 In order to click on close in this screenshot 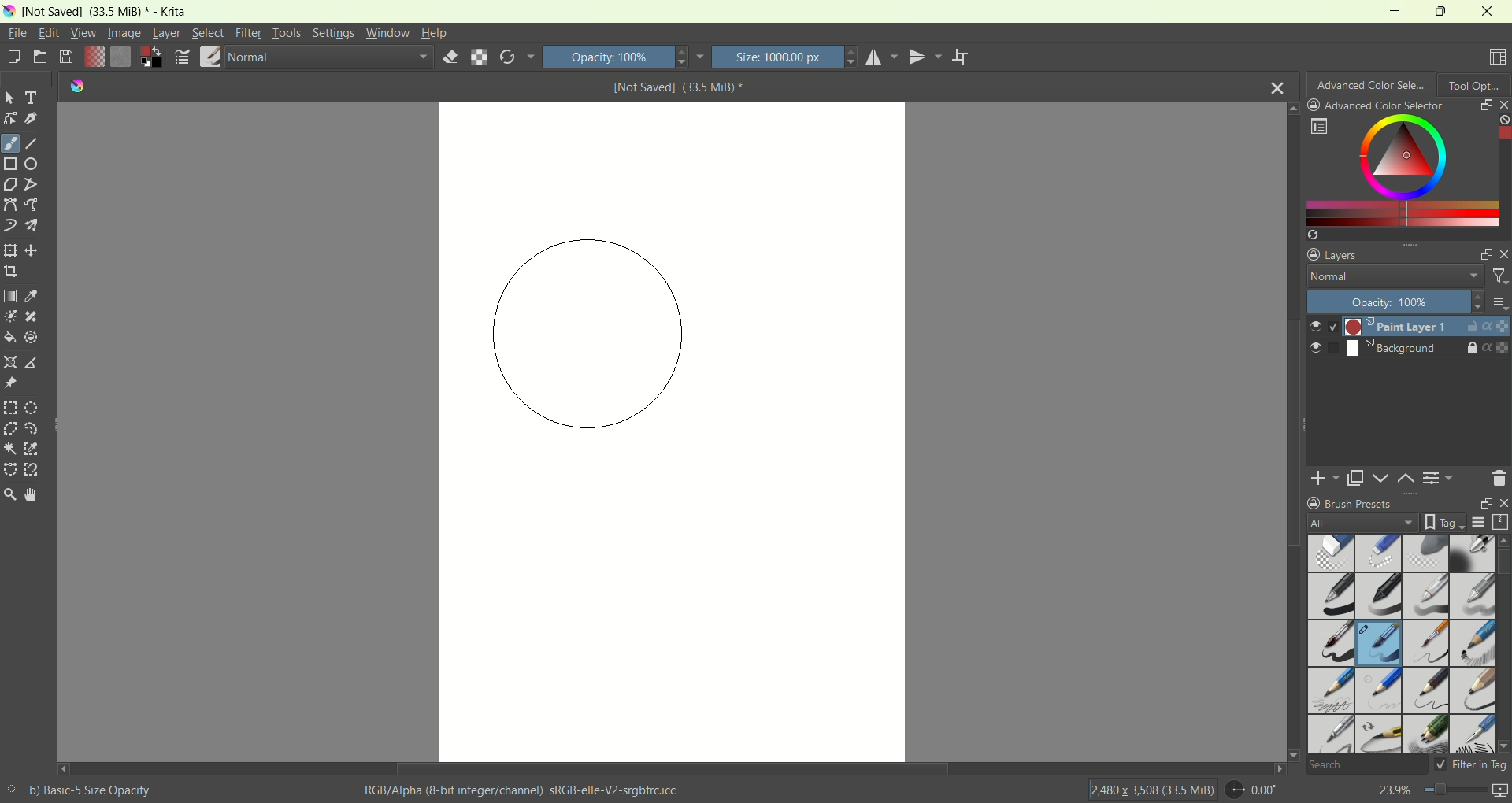, I will do `click(1488, 11)`.